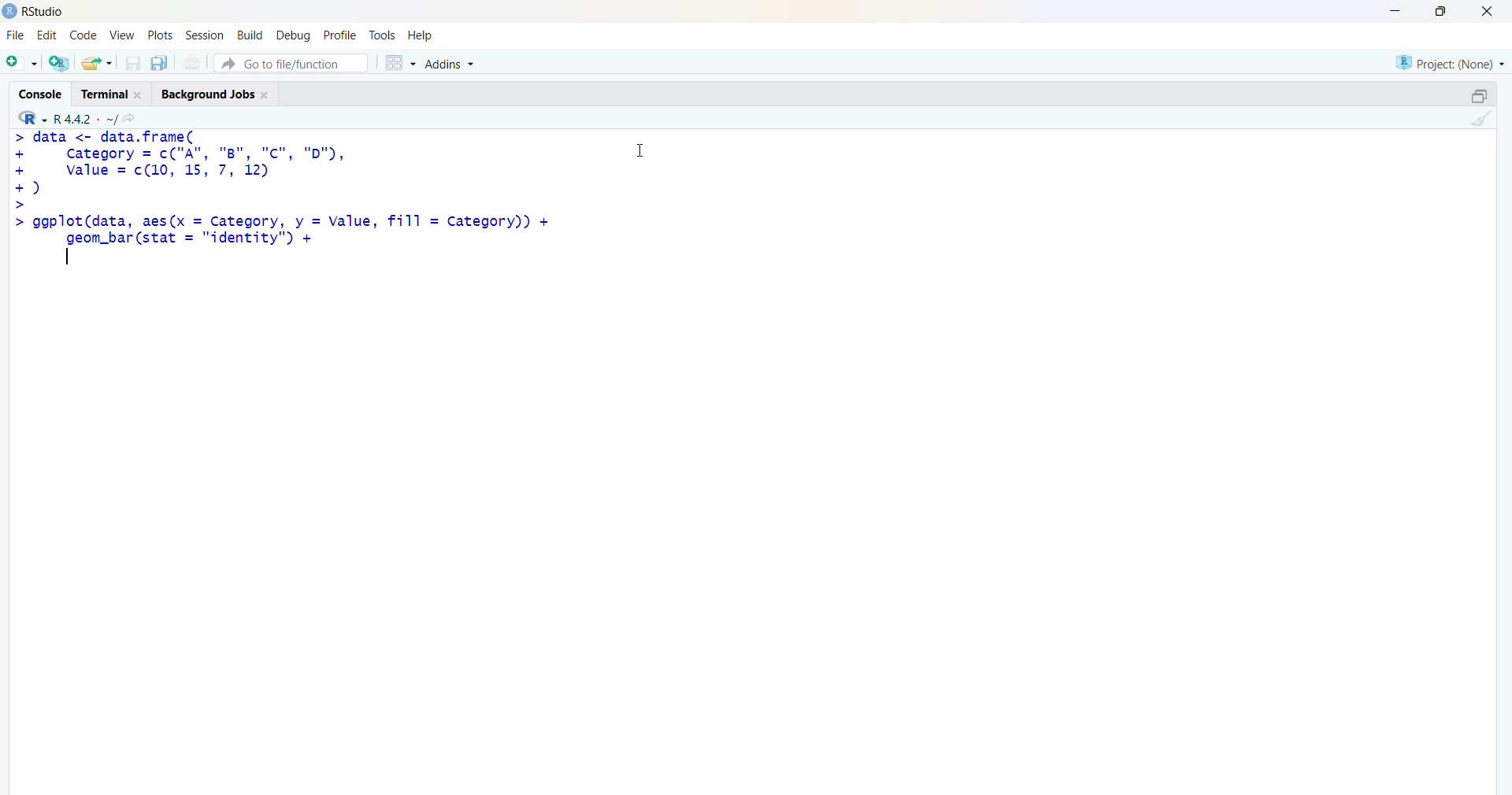 The height and width of the screenshot is (795, 1512). Describe the element at coordinates (190, 62) in the screenshot. I see `print current file` at that location.